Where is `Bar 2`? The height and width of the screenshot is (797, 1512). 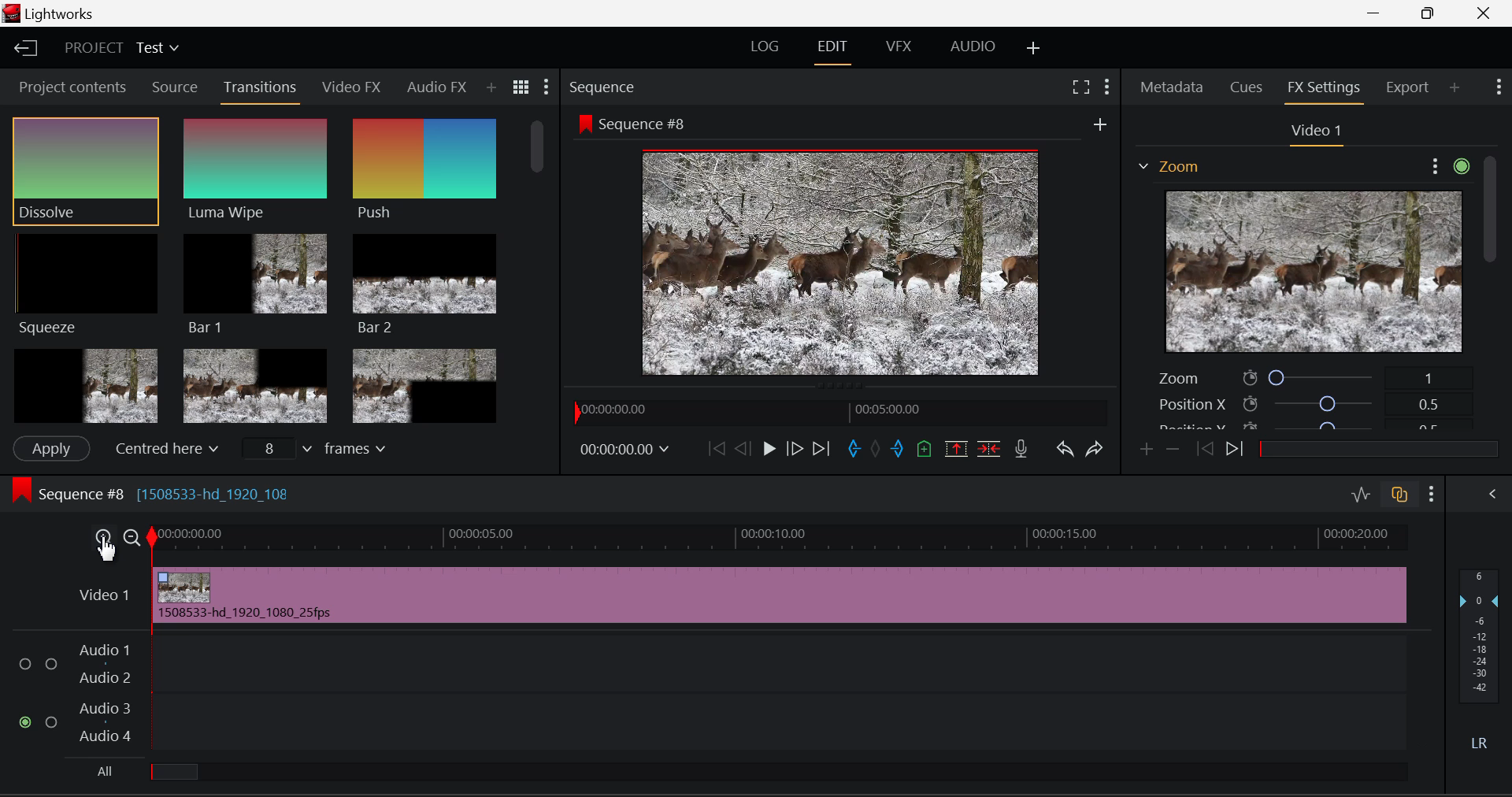
Bar 2 is located at coordinates (426, 284).